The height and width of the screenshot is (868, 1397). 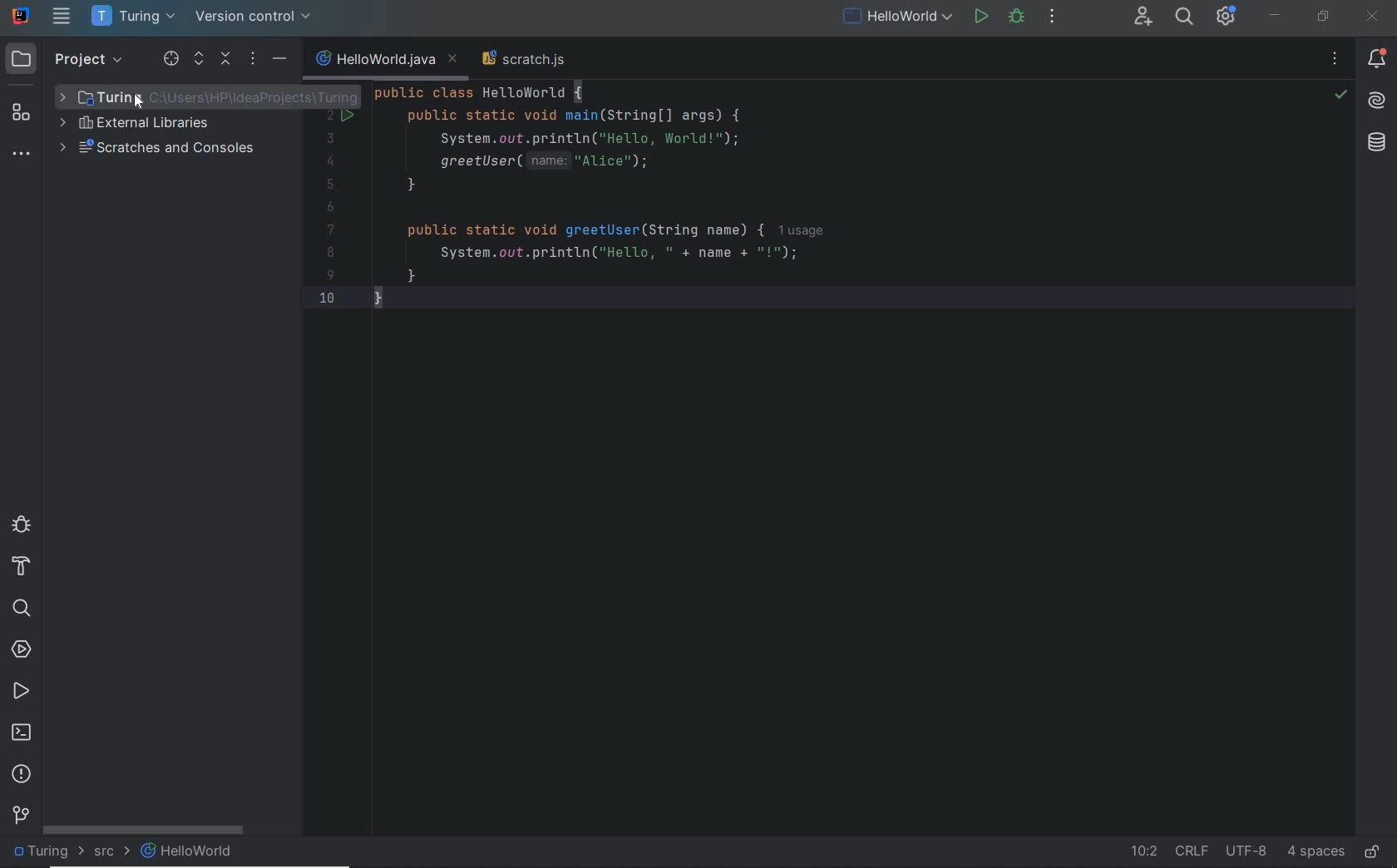 I want to click on HelloWorld, so click(x=188, y=852).